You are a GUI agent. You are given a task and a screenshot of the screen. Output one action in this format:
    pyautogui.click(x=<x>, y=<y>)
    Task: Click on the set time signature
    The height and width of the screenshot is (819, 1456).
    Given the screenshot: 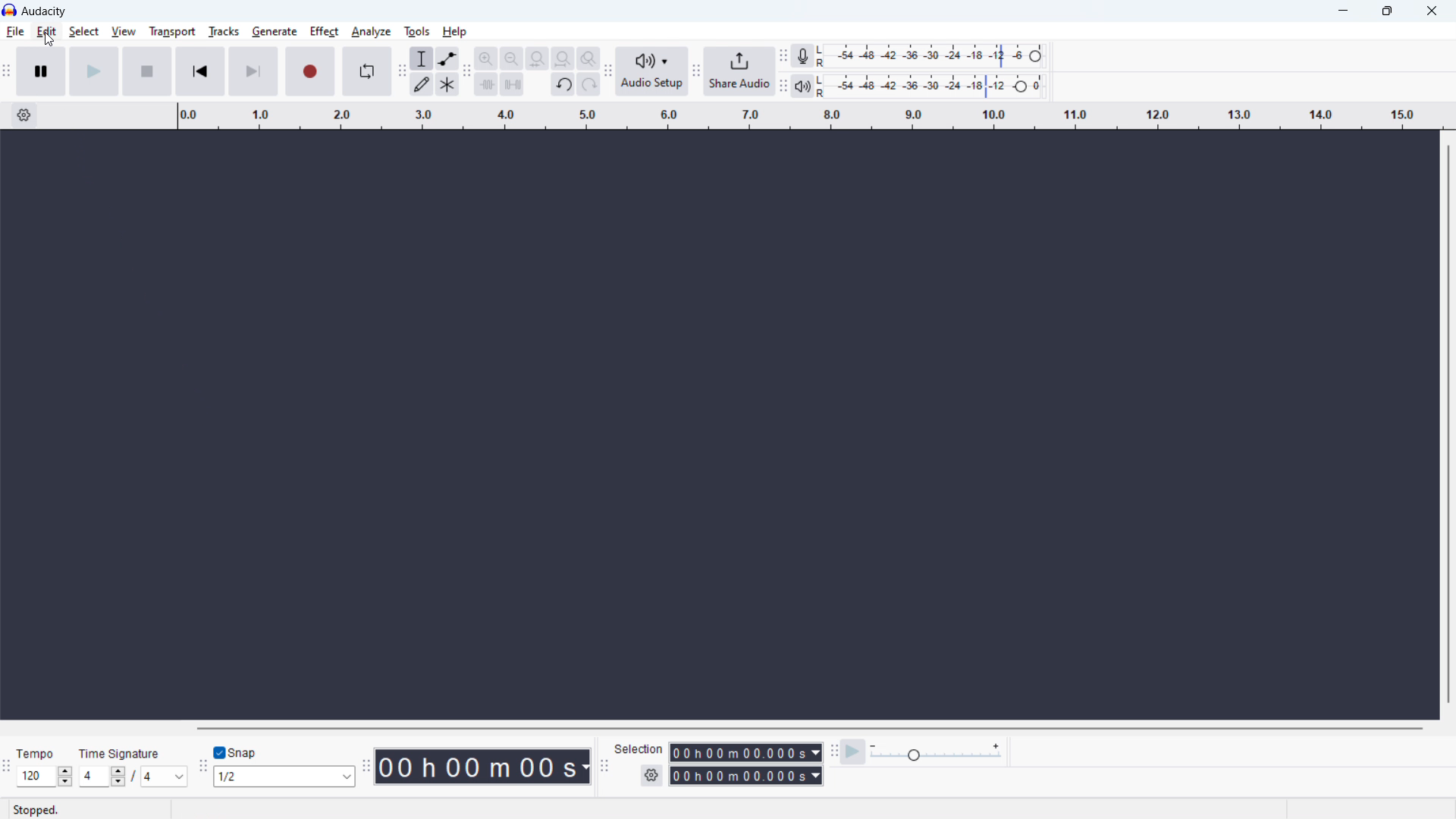 What is the action you would take?
    pyautogui.click(x=165, y=777)
    